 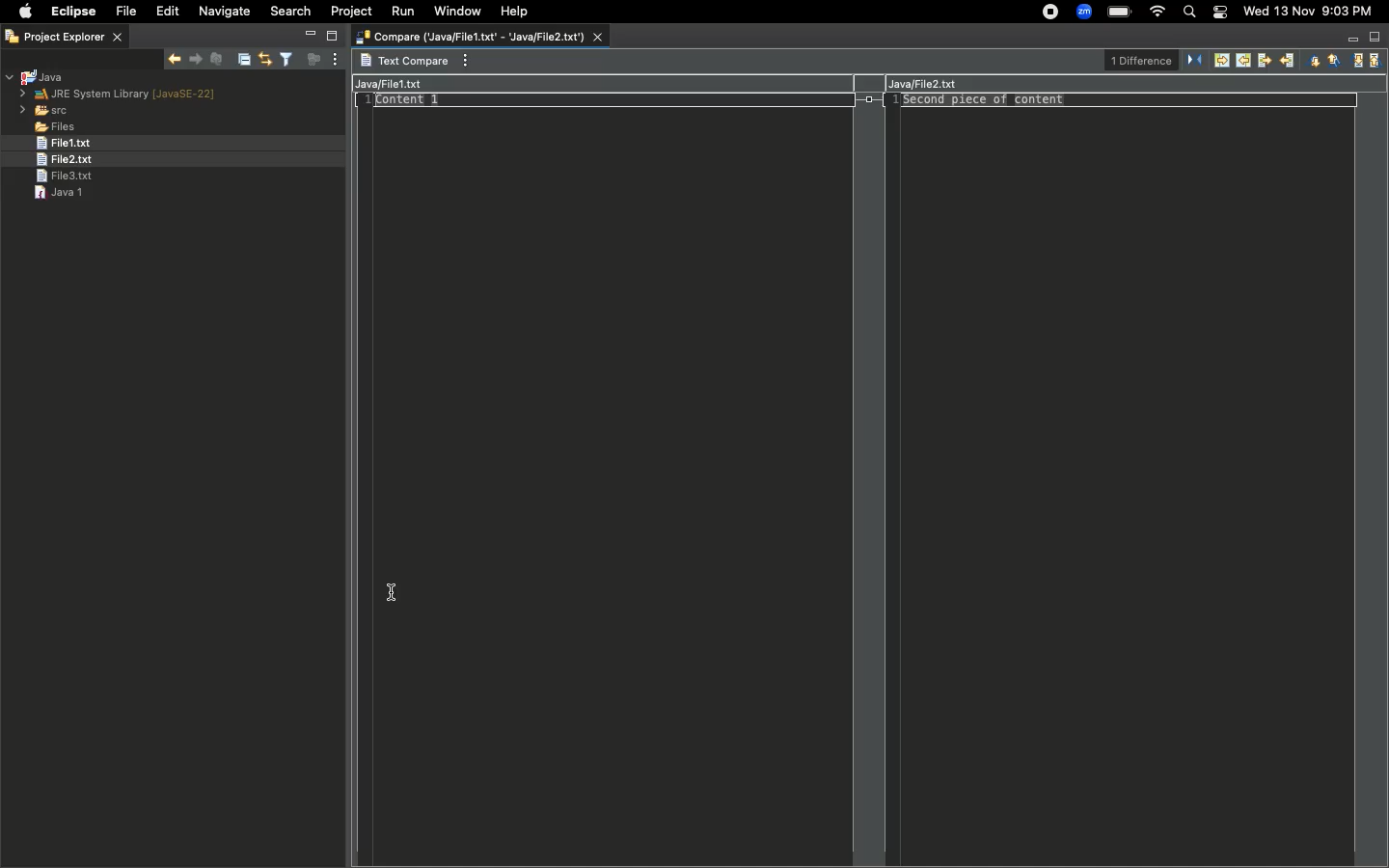 What do you see at coordinates (464, 62) in the screenshot?
I see `View menu` at bounding box center [464, 62].